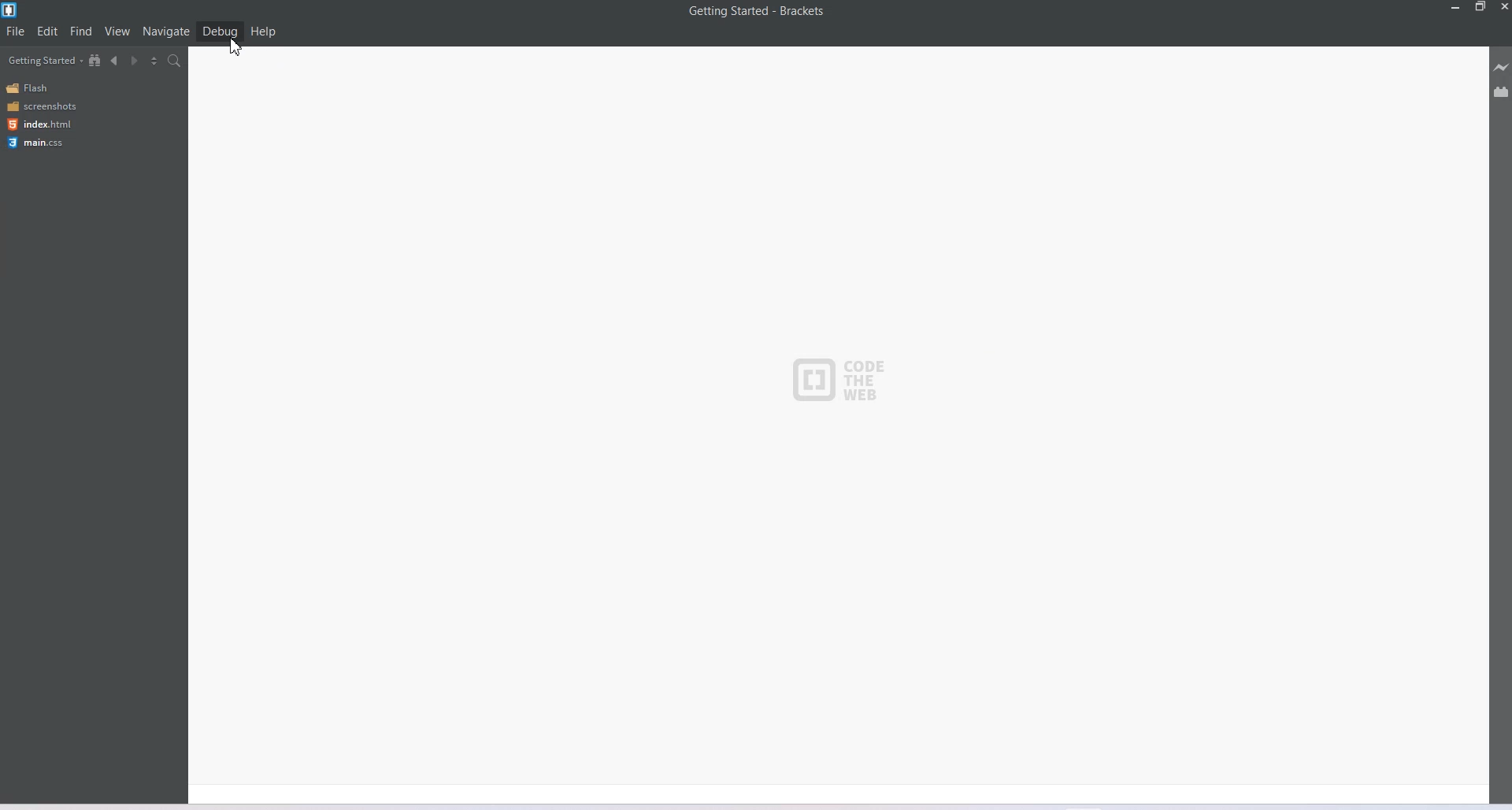 Image resolution: width=1512 pixels, height=810 pixels. What do you see at coordinates (239, 46) in the screenshot?
I see `Cursor` at bounding box center [239, 46].